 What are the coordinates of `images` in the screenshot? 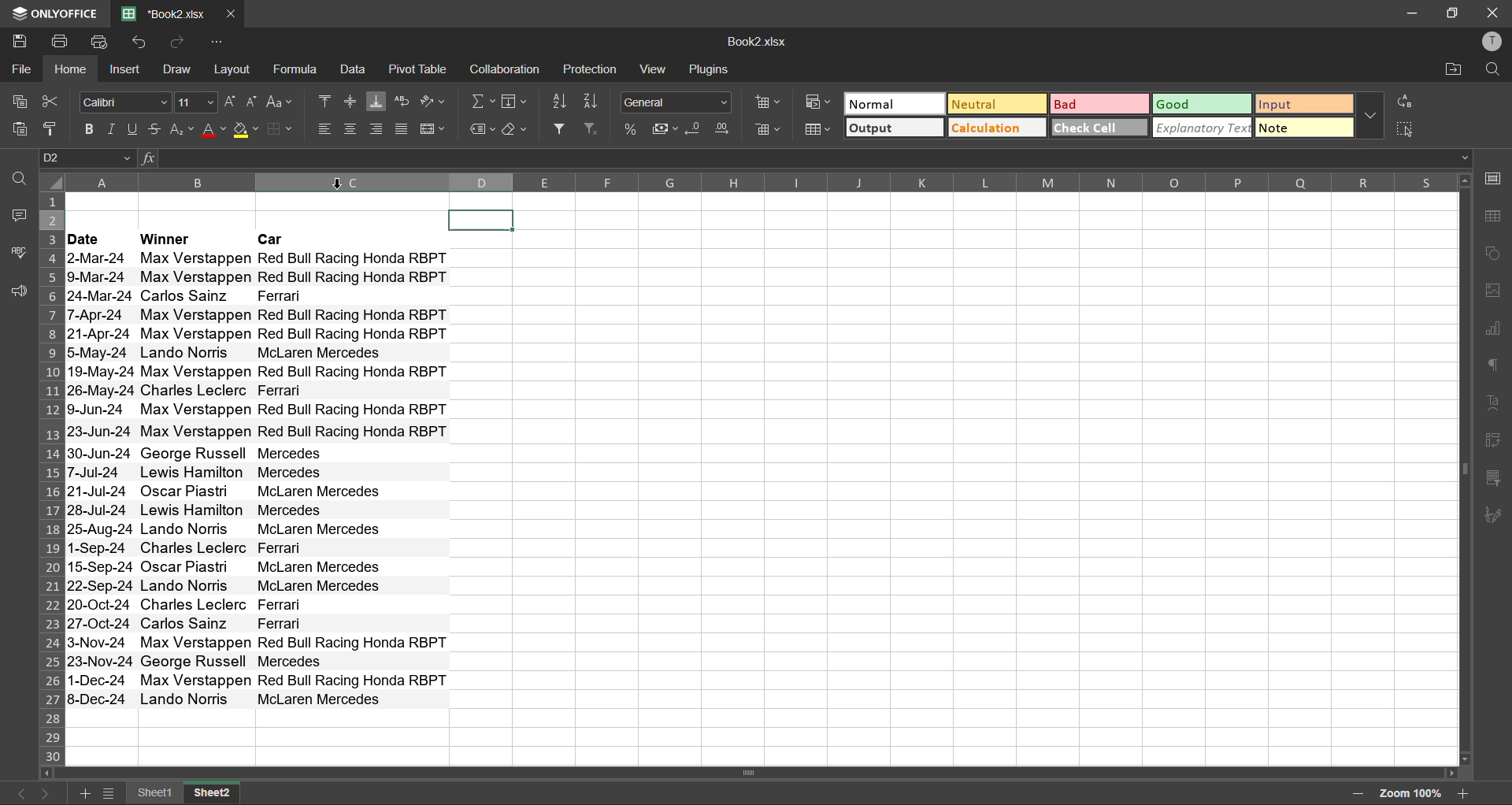 It's located at (1493, 293).